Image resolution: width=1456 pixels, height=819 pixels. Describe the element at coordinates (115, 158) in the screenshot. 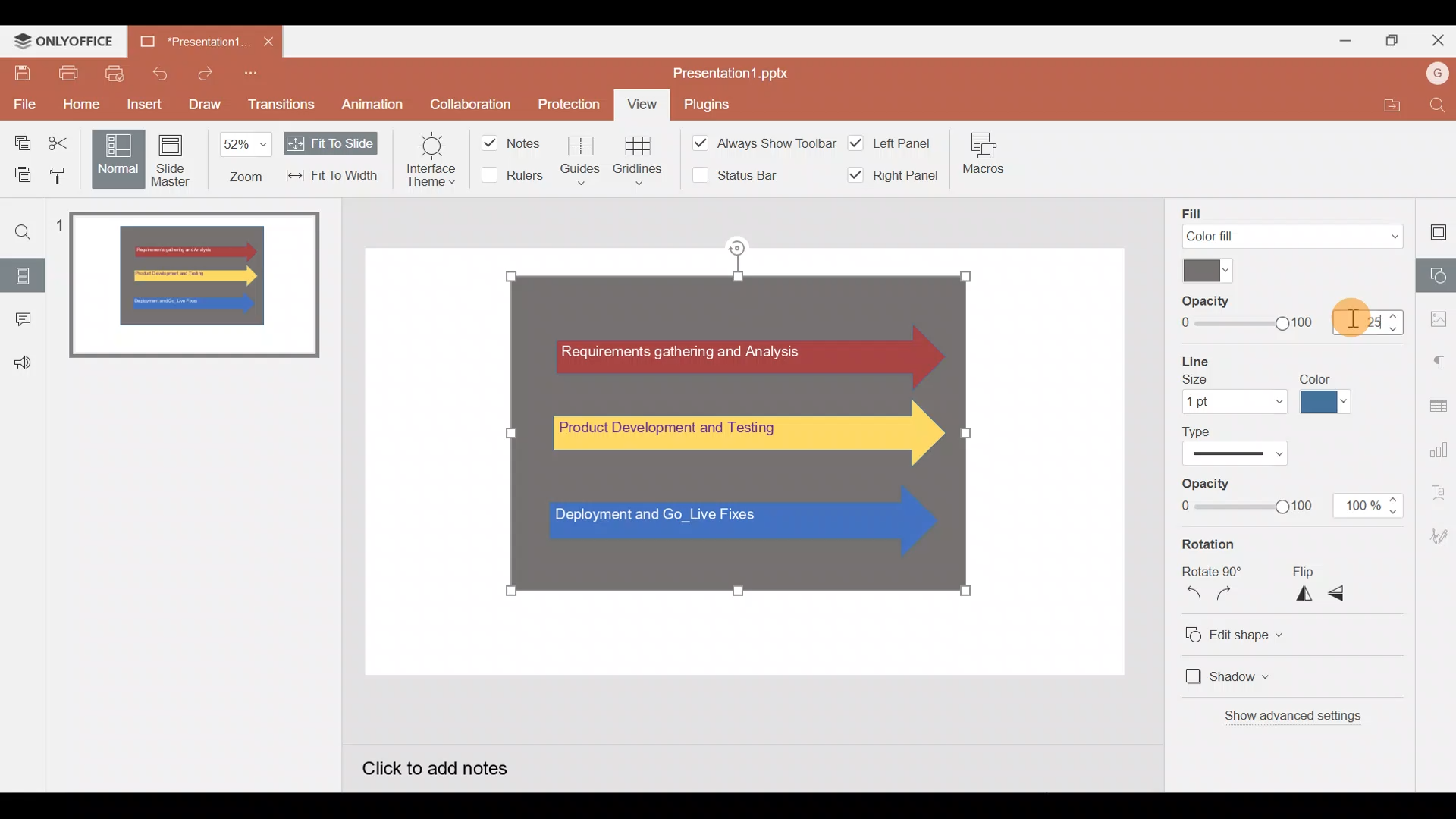

I see `Normal` at that location.